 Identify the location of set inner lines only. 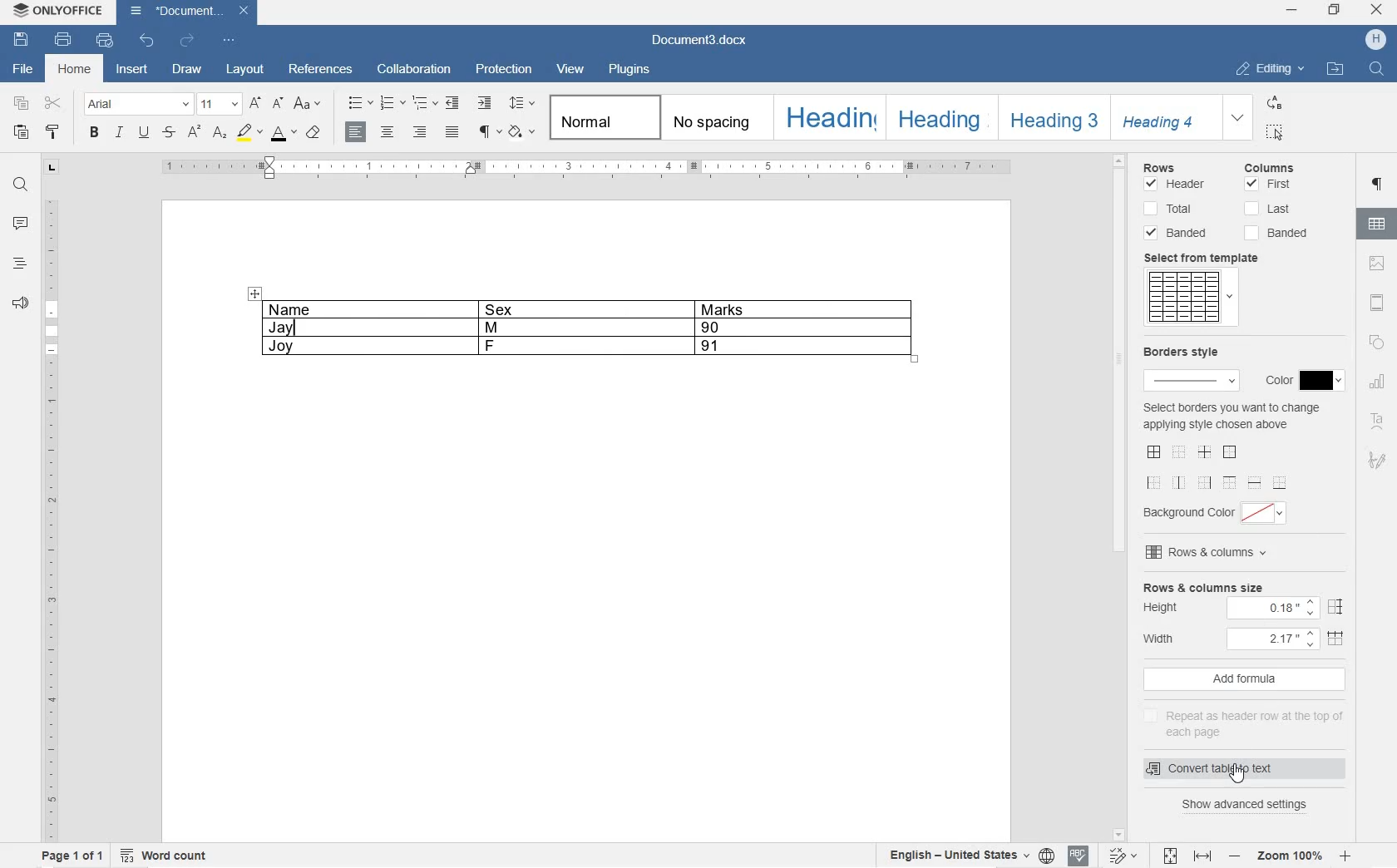
(1203, 452).